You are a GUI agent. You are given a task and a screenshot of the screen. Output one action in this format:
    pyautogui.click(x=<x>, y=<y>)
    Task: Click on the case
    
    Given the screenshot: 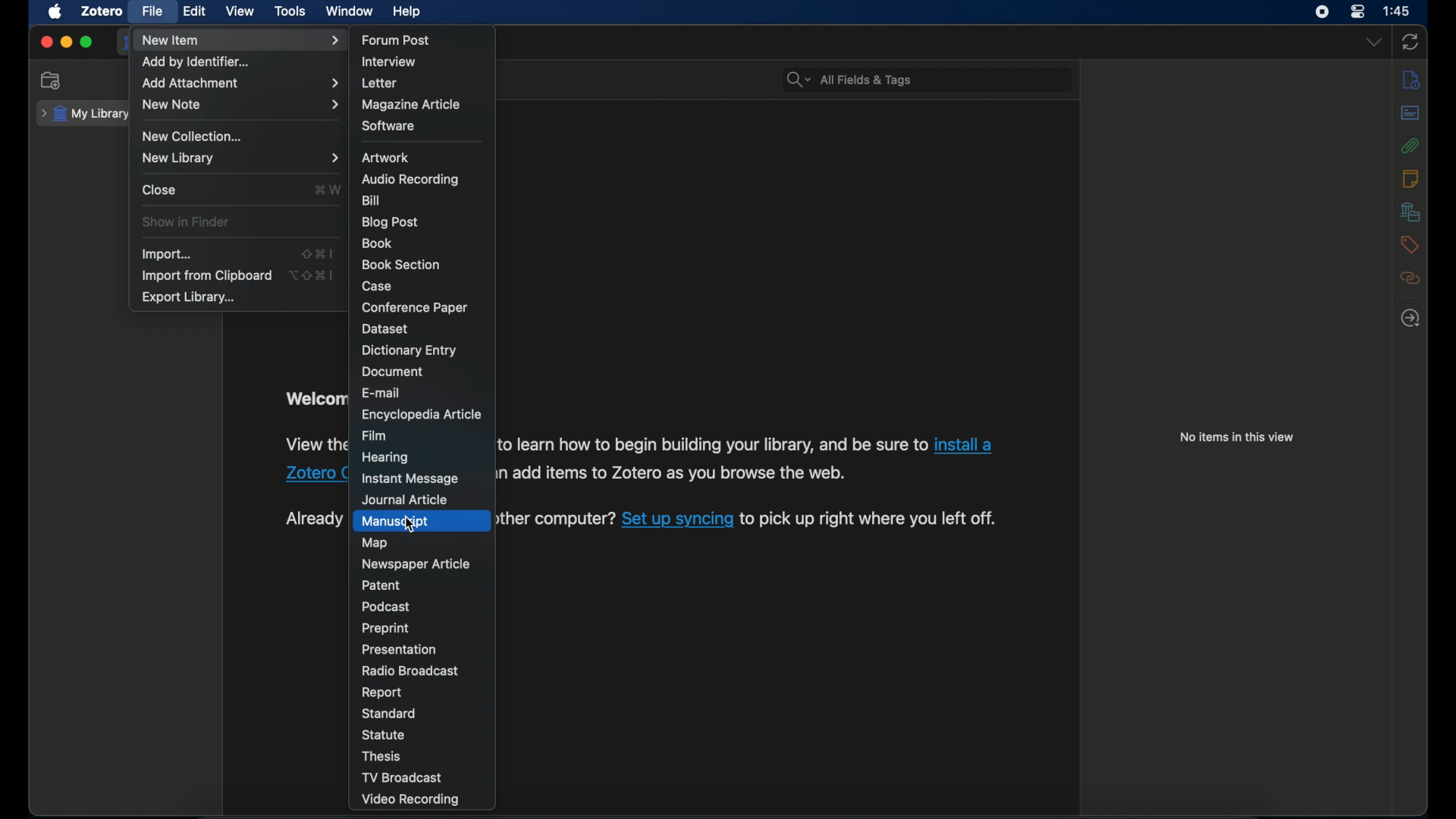 What is the action you would take?
    pyautogui.click(x=378, y=287)
    